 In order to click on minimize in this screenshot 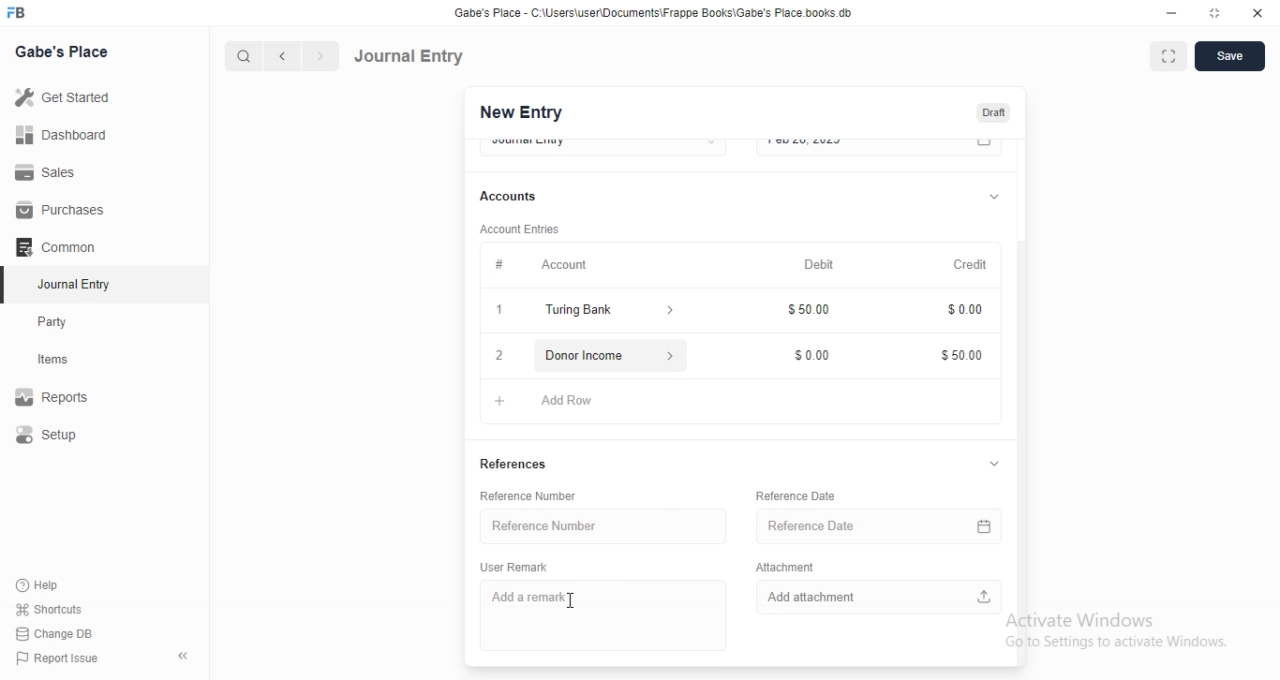, I will do `click(1170, 16)`.